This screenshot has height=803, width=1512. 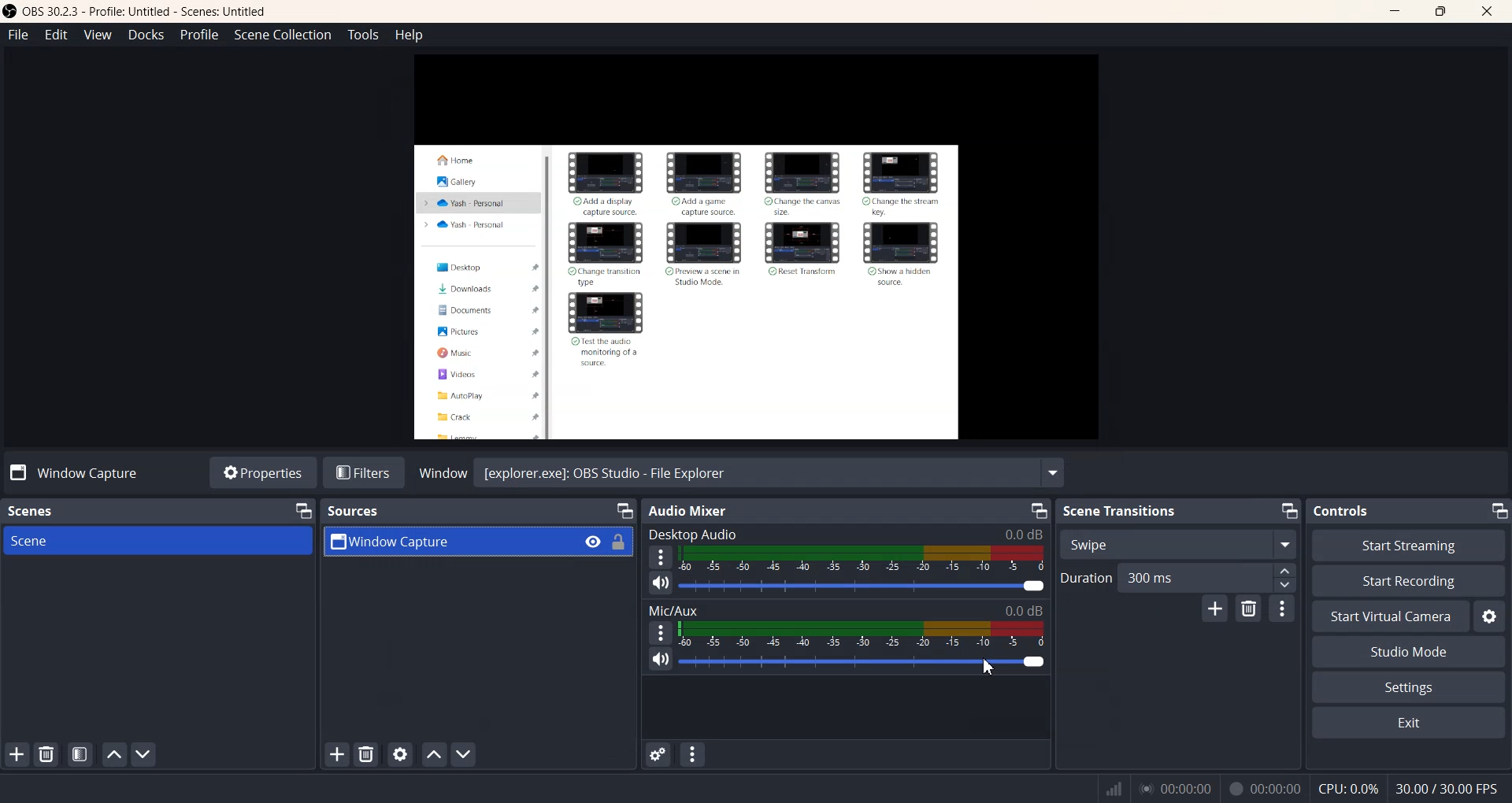 I want to click on Remove Selected Scene, so click(x=46, y=755).